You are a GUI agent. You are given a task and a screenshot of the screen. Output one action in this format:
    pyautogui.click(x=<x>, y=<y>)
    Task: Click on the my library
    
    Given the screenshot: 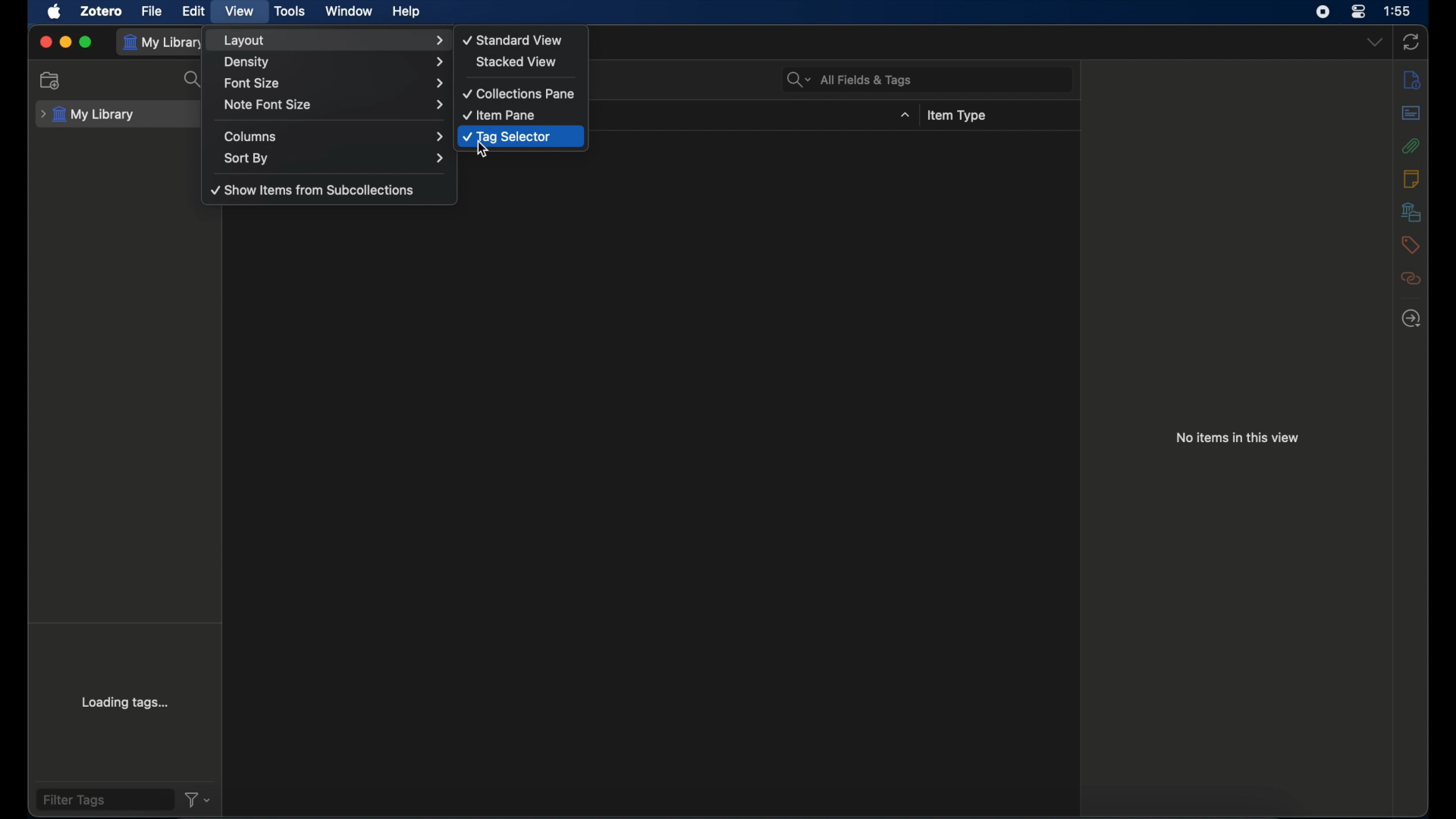 What is the action you would take?
    pyautogui.click(x=88, y=112)
    